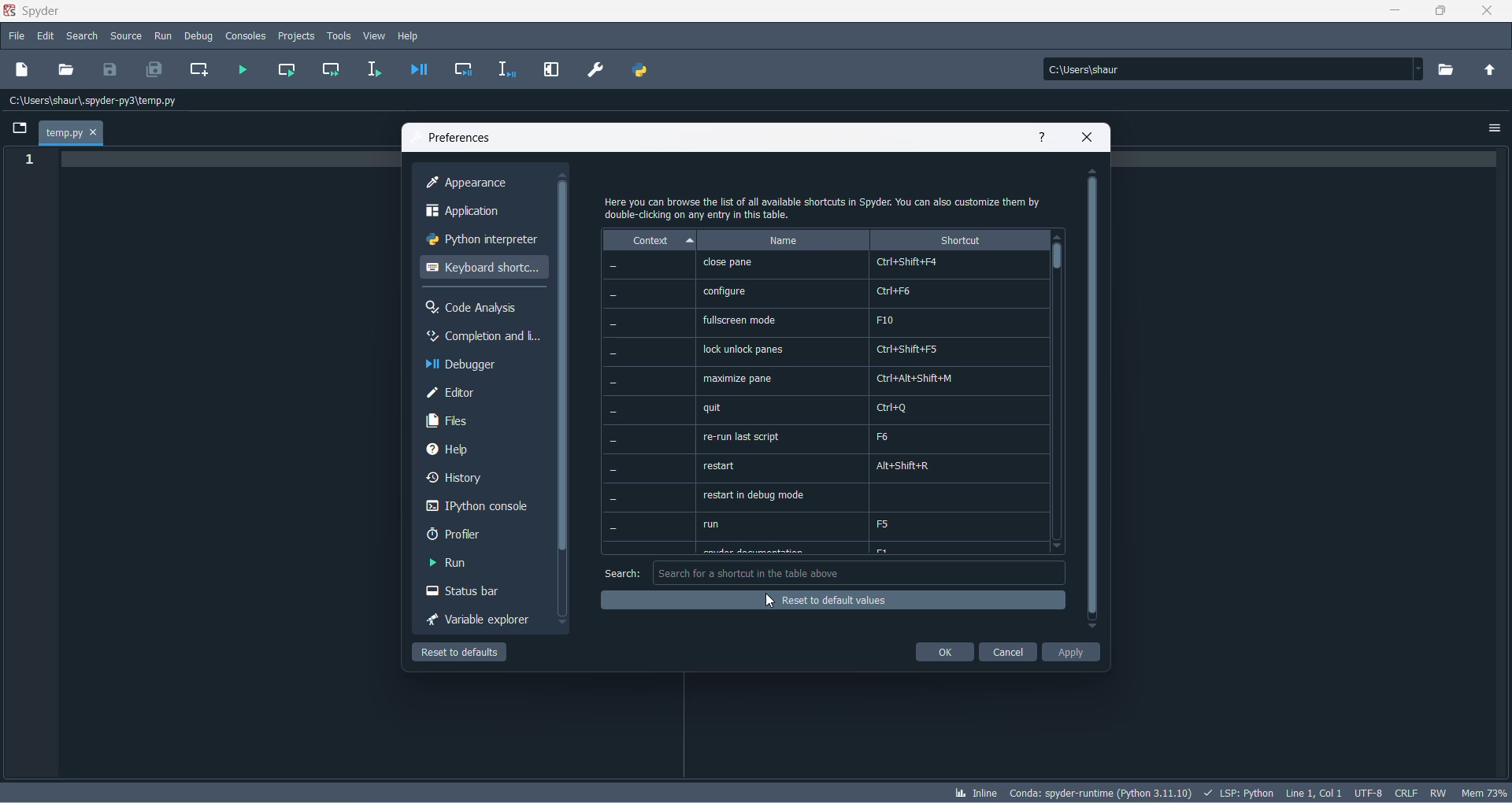 The width and height of the screenshot is (1512, 803). What do you see at coordinates (1368, 791) in the screenshot?
I see `chatset` at bounding box center [1368, 791].